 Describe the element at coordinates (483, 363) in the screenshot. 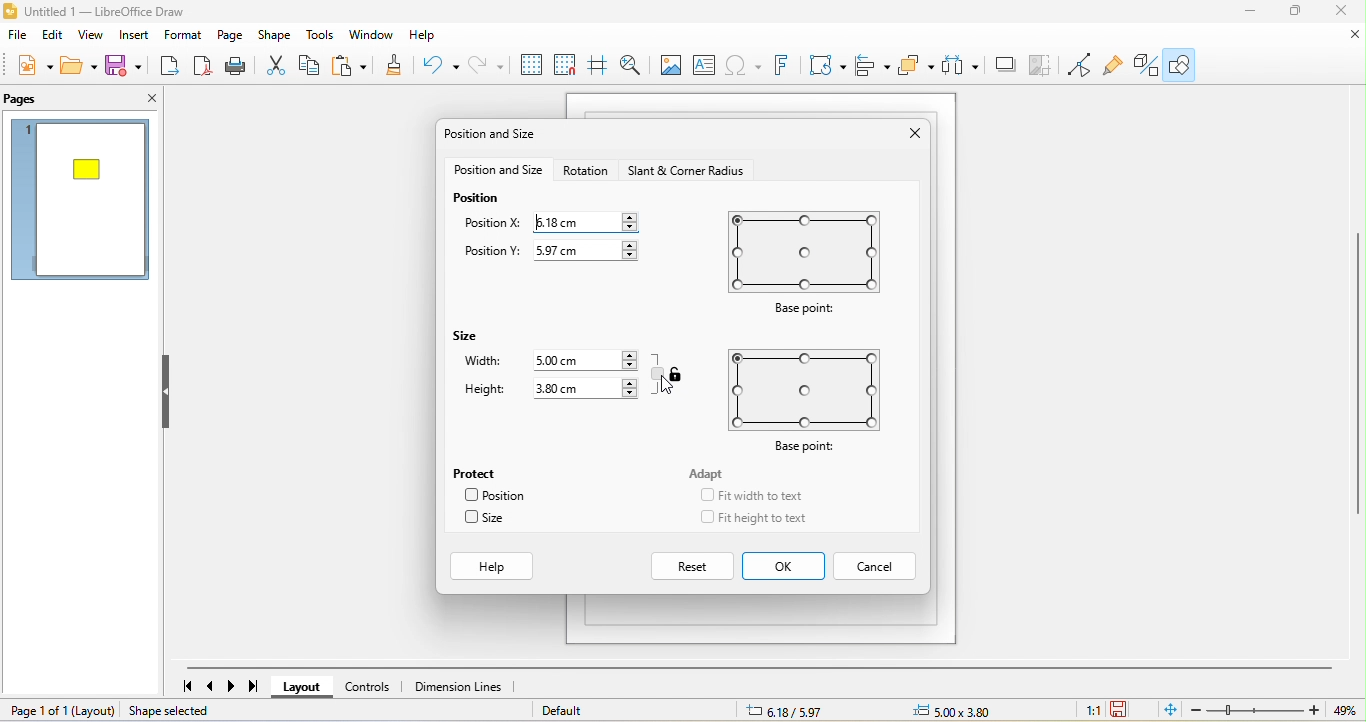

I see `width` at that location.